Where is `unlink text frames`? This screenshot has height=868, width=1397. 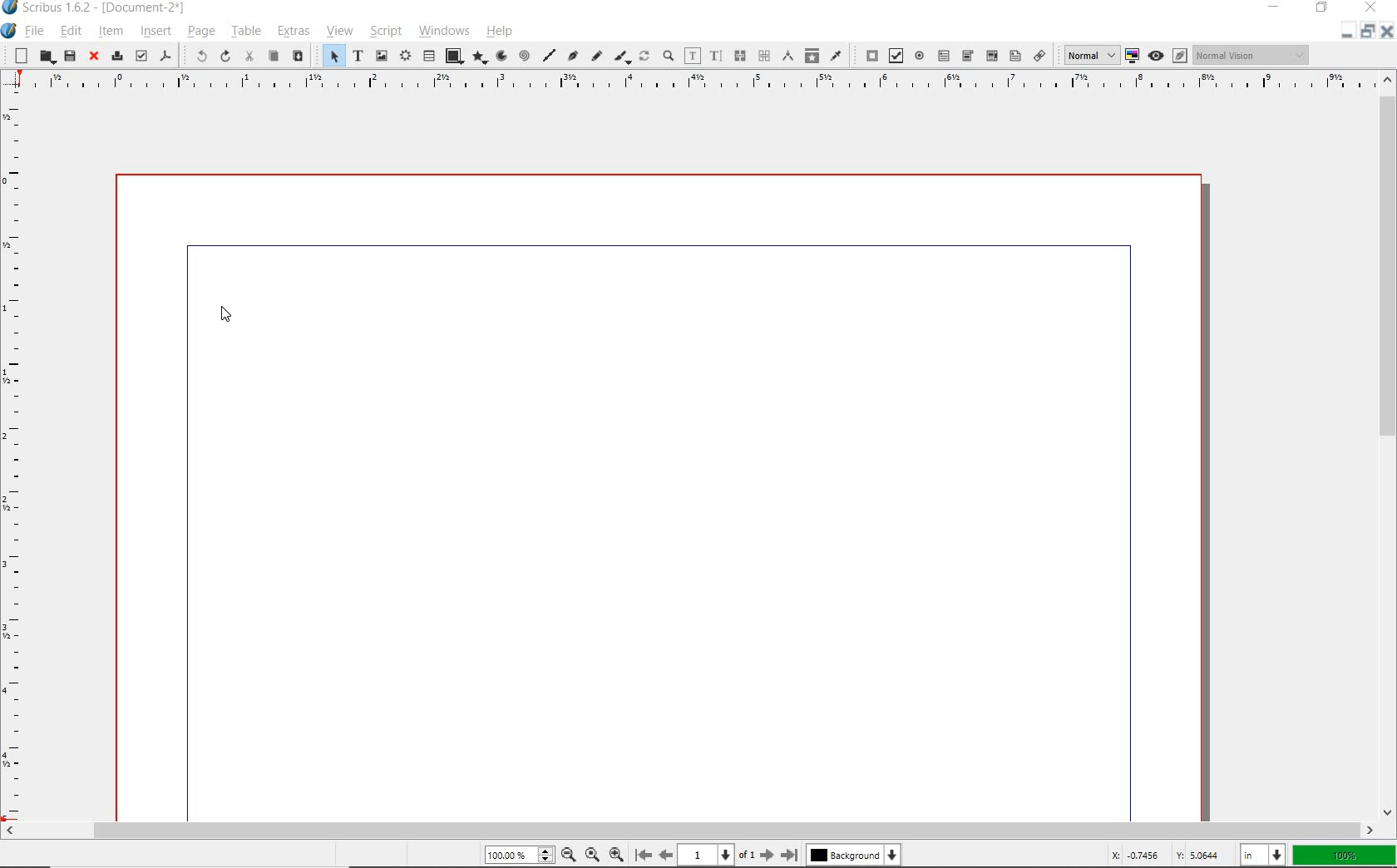 unlink text frames is located at coordinates (738, 57).